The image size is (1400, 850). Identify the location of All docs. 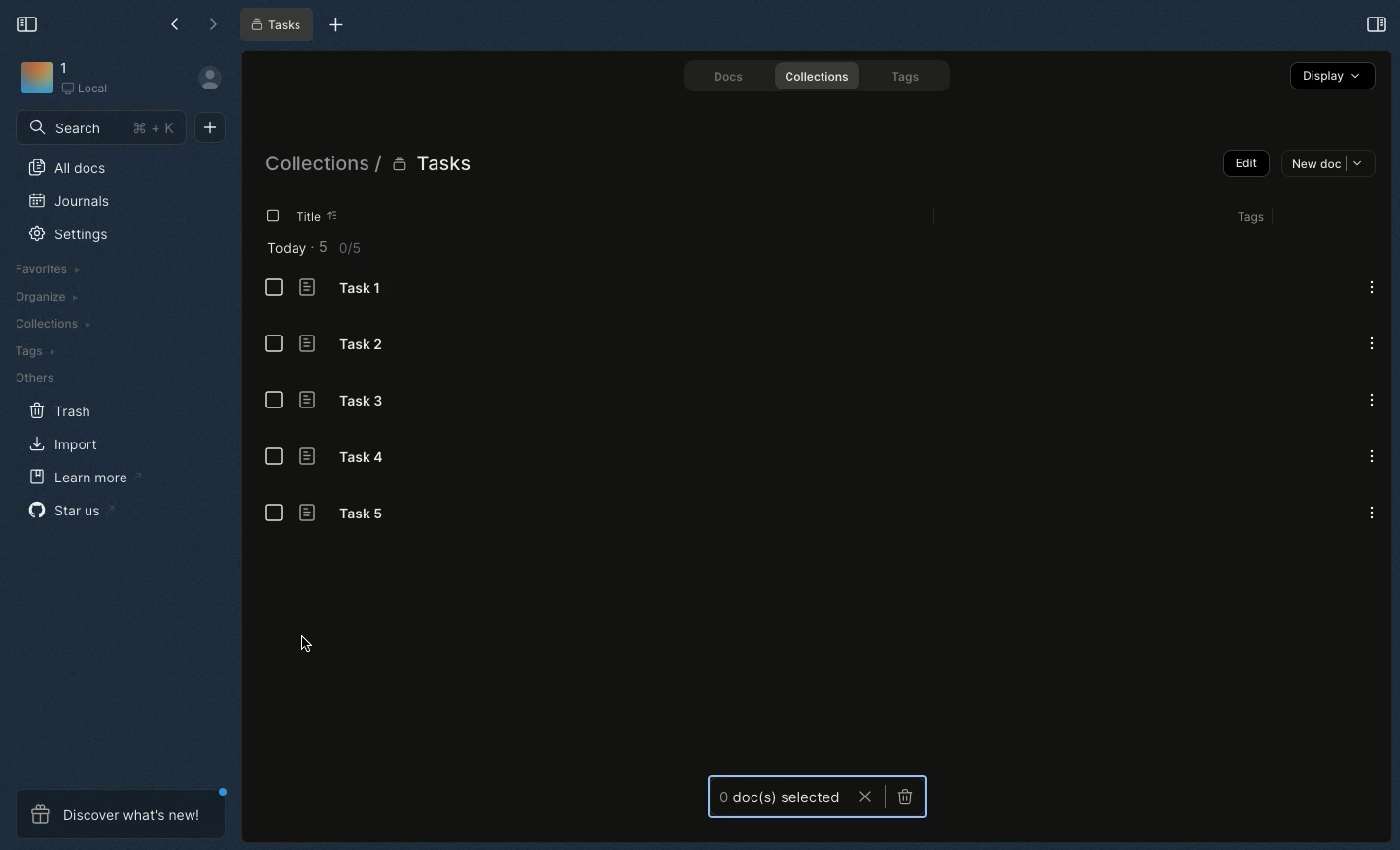
(71, 167).